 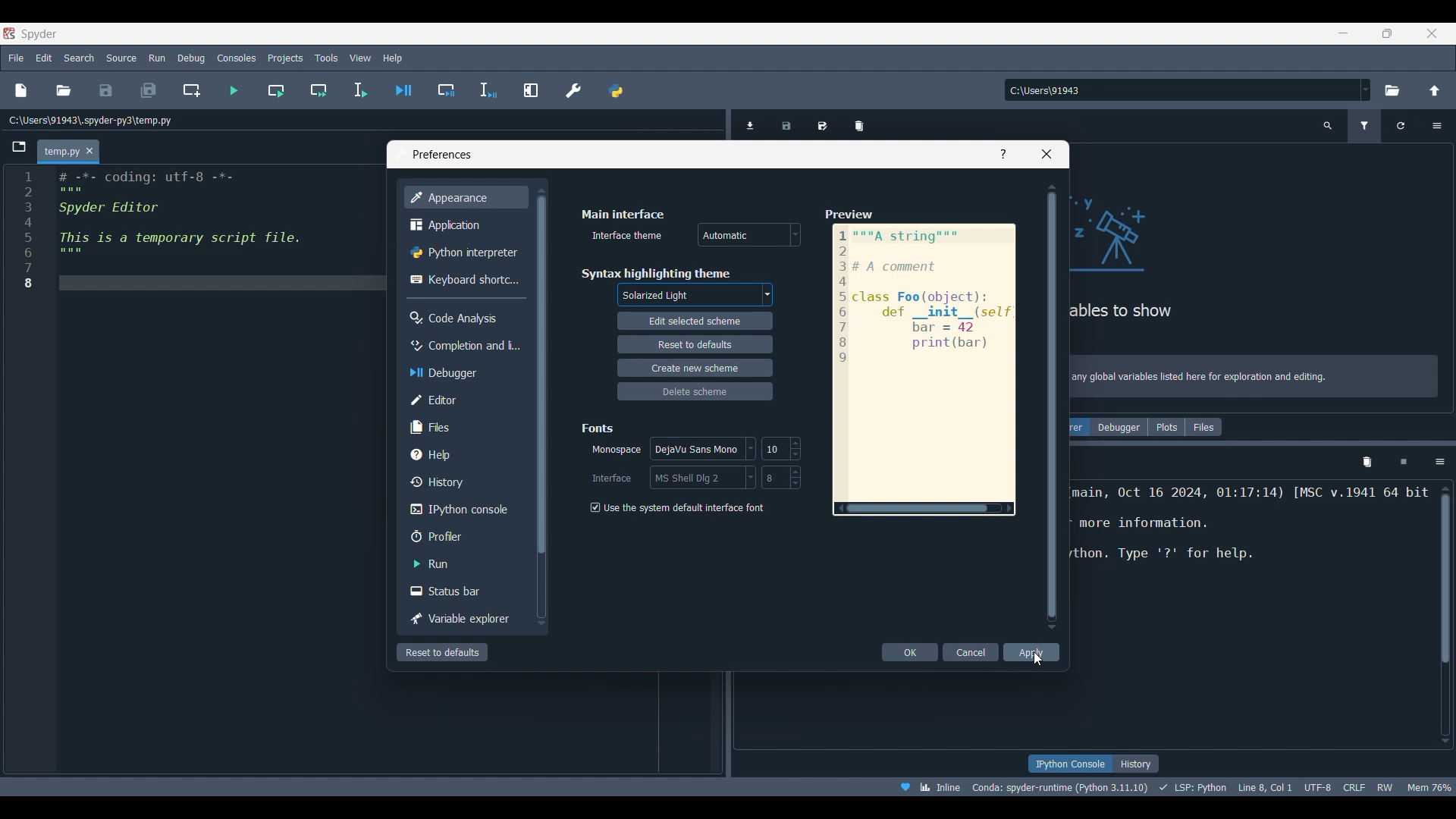 I want to click on Indicates interface theme, so click(x=628, y=235).